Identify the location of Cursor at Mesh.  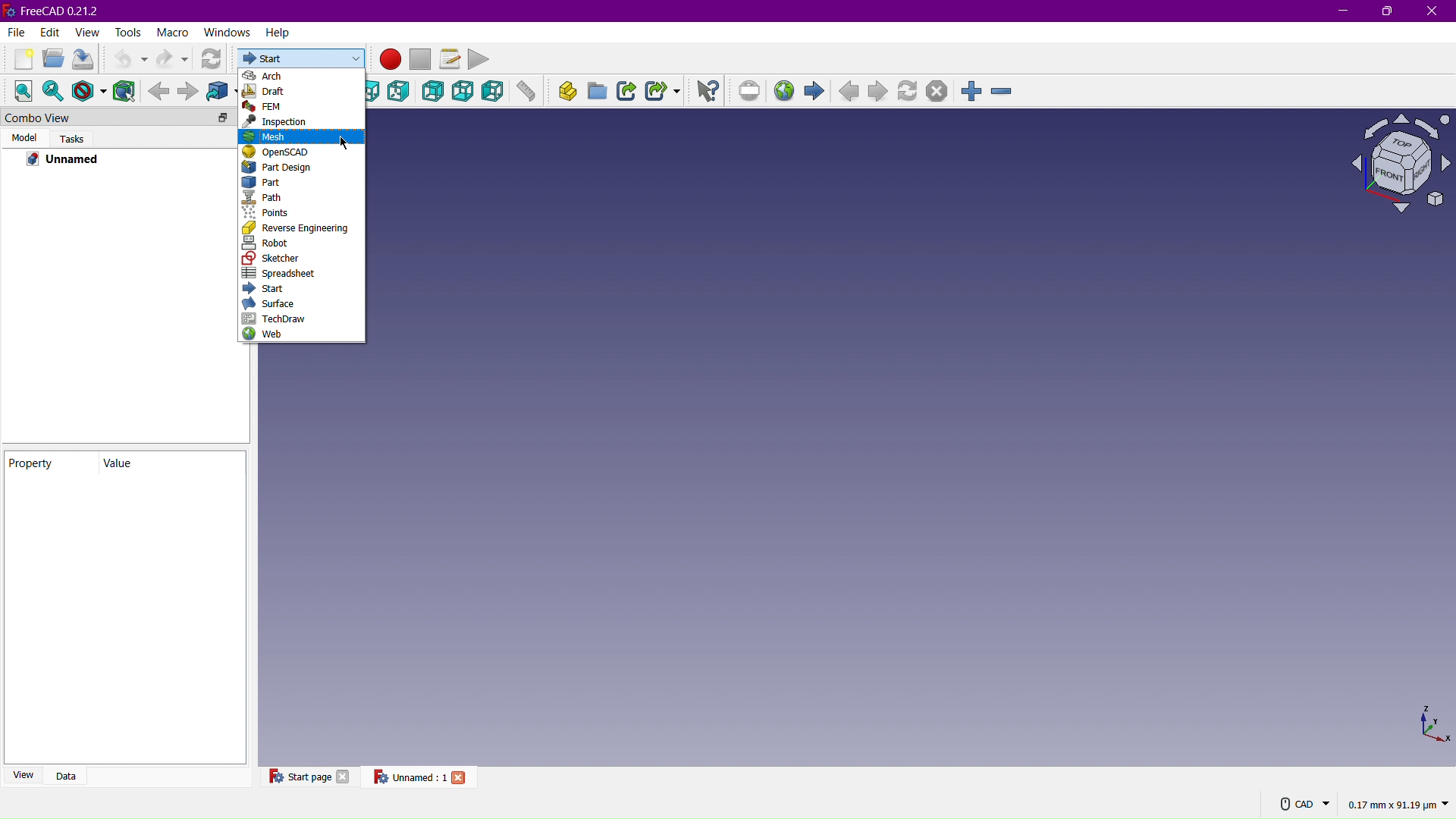
(344, 143).